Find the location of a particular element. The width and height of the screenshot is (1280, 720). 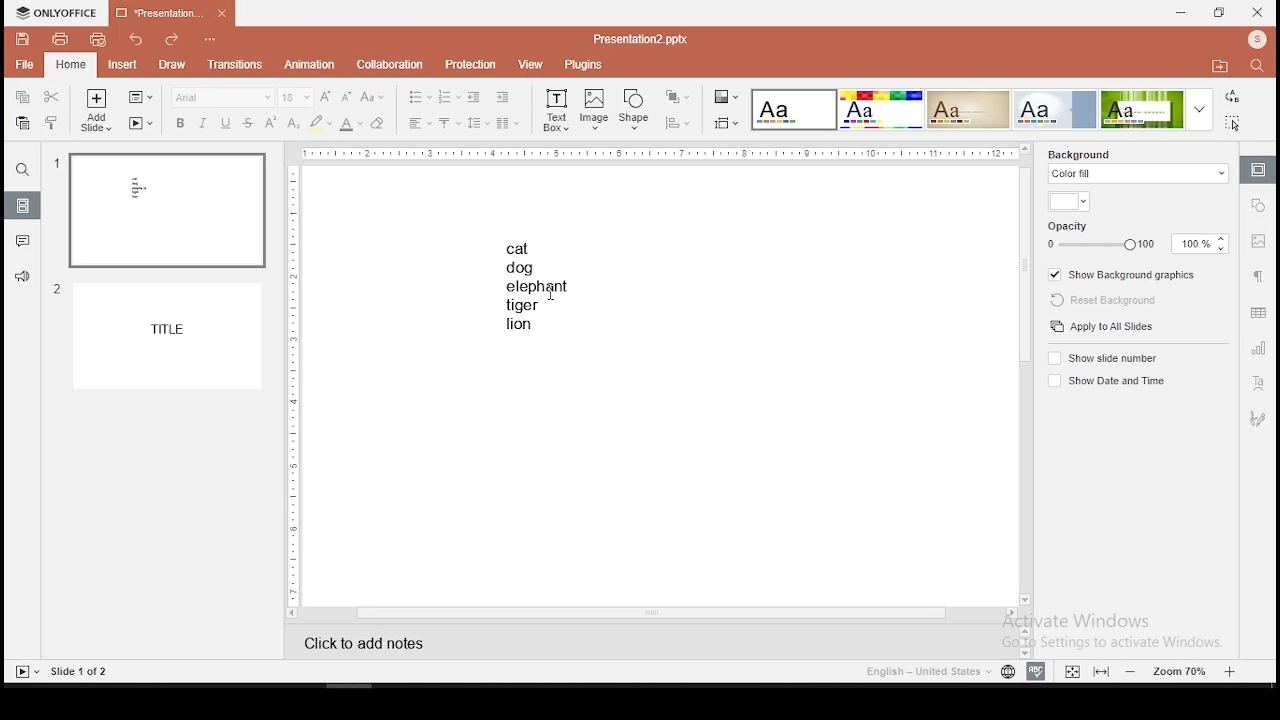

change color theme is located at coordinates (724, 96).